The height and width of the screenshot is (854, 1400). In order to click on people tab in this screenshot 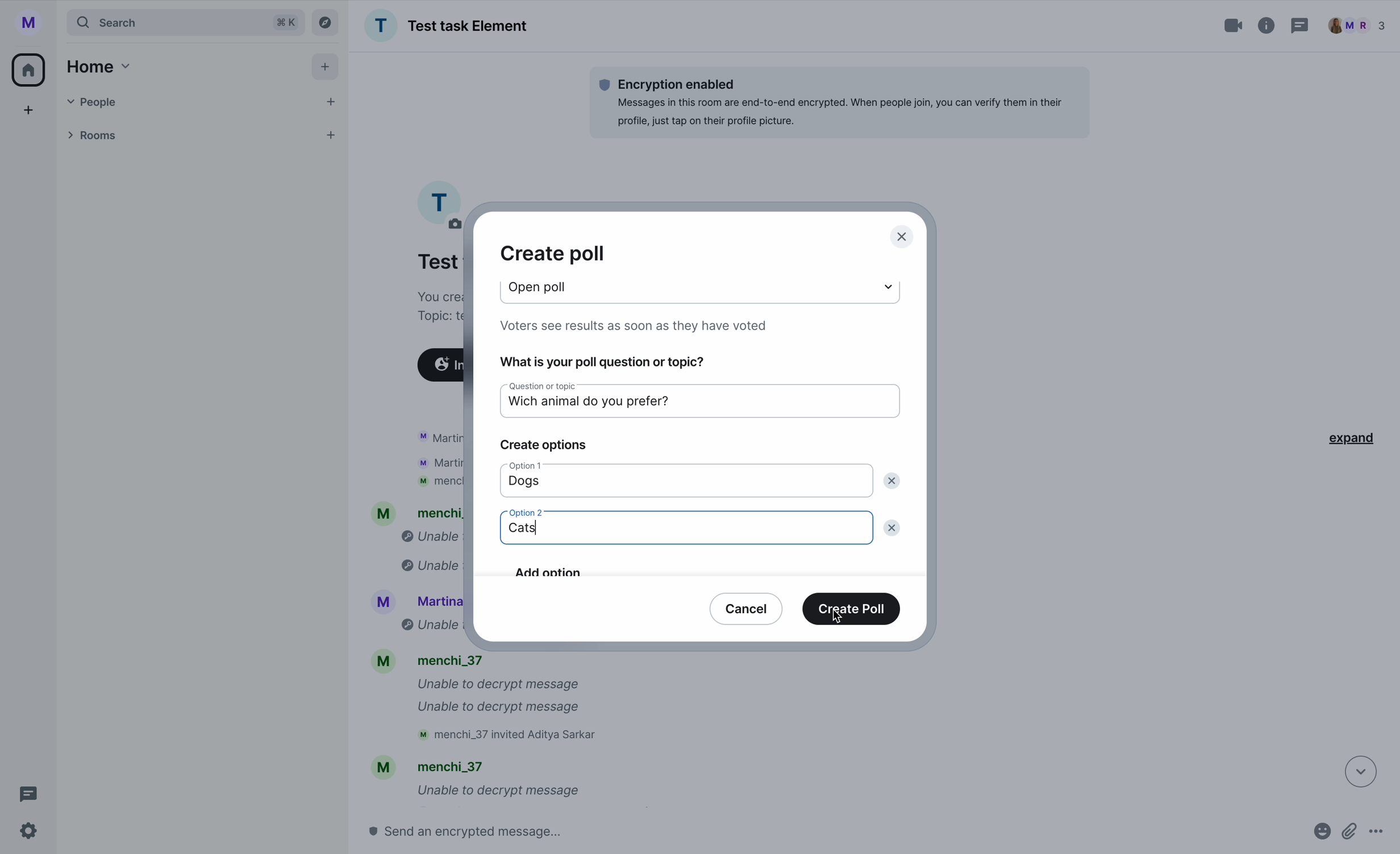, I will do `click(203, 102)`.